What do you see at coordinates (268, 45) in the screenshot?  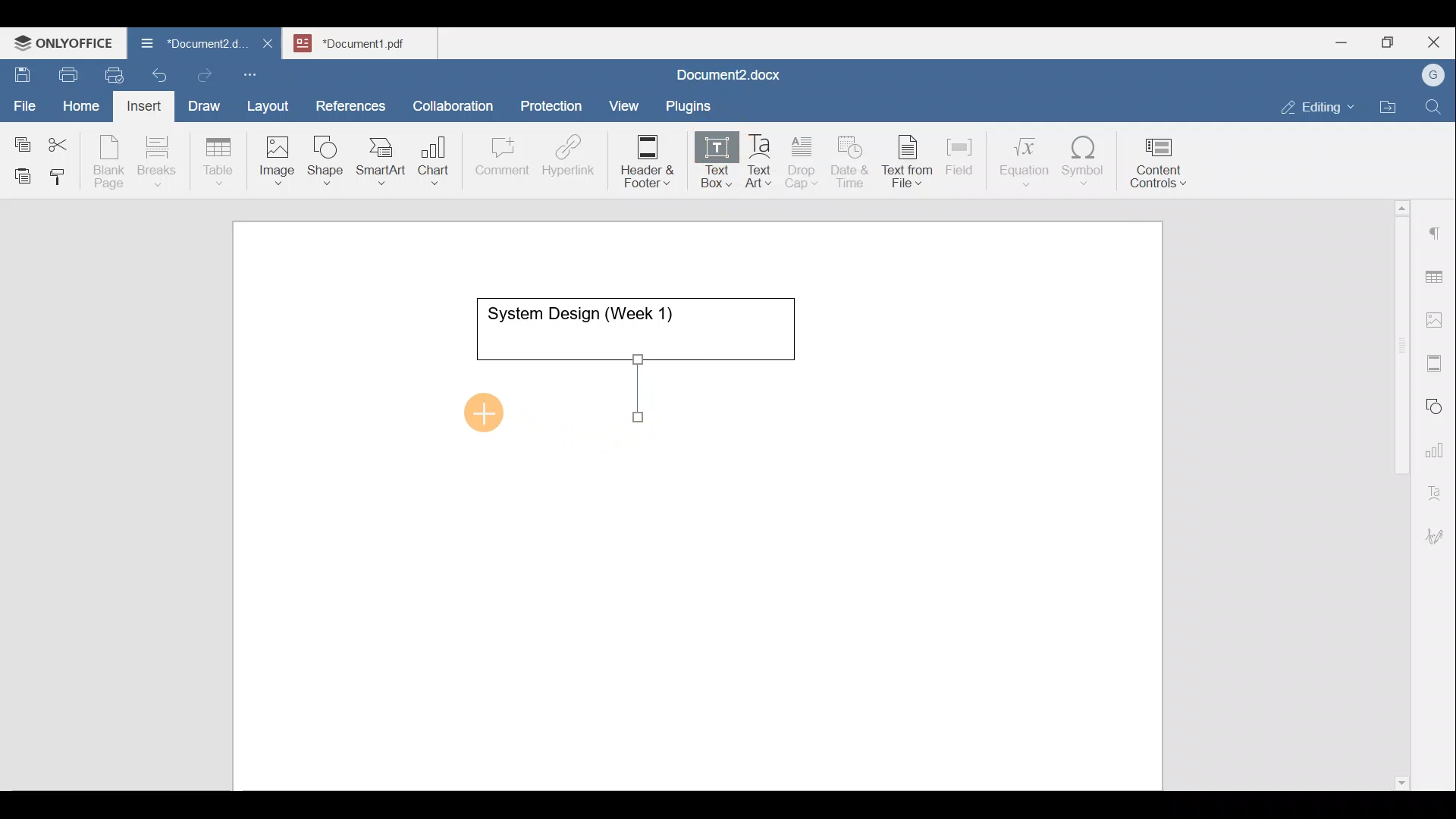 I see `Close document` at bounding box center [268, 45].